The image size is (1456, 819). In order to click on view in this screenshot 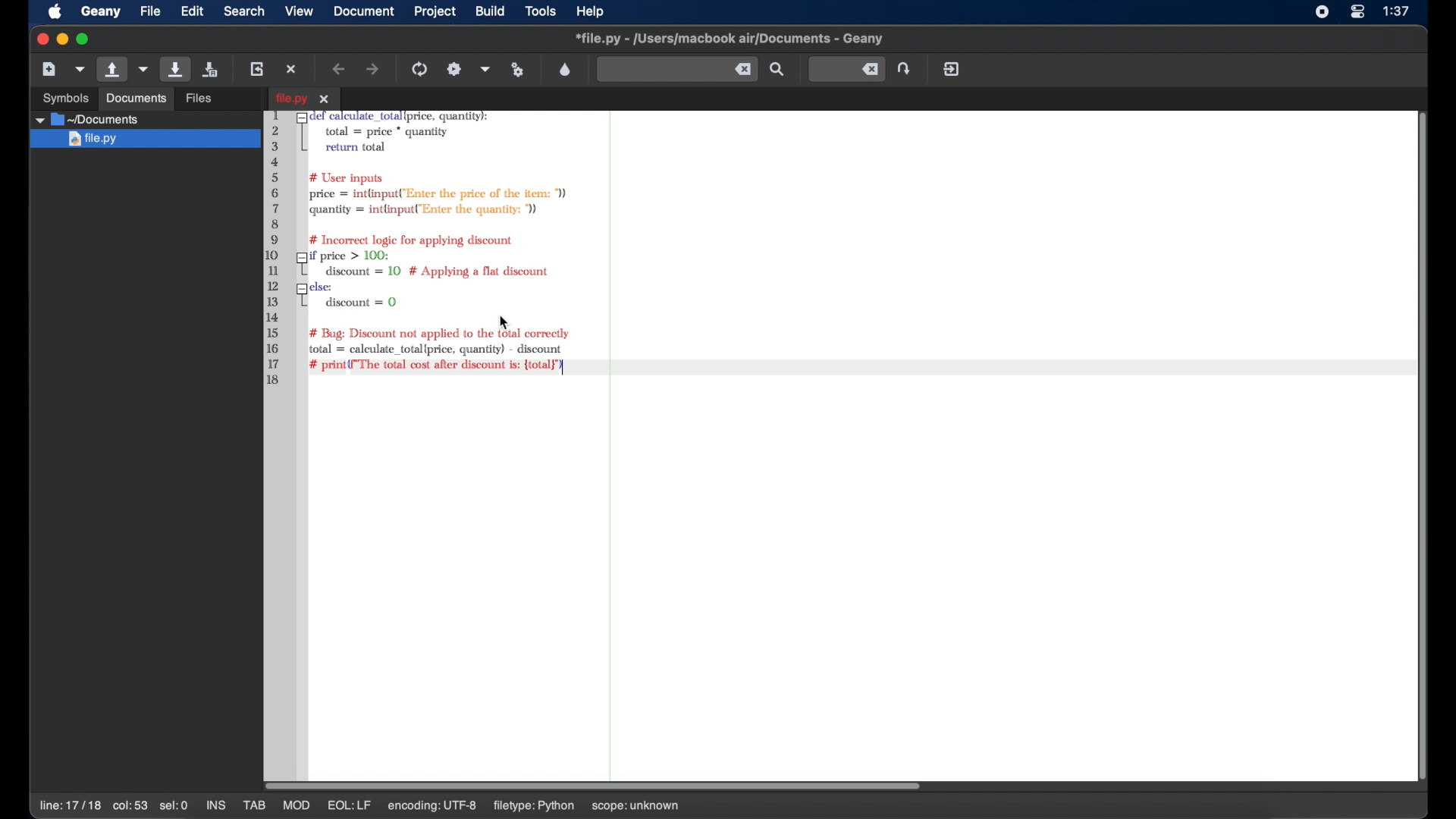, I will do `click(300, 10)`.